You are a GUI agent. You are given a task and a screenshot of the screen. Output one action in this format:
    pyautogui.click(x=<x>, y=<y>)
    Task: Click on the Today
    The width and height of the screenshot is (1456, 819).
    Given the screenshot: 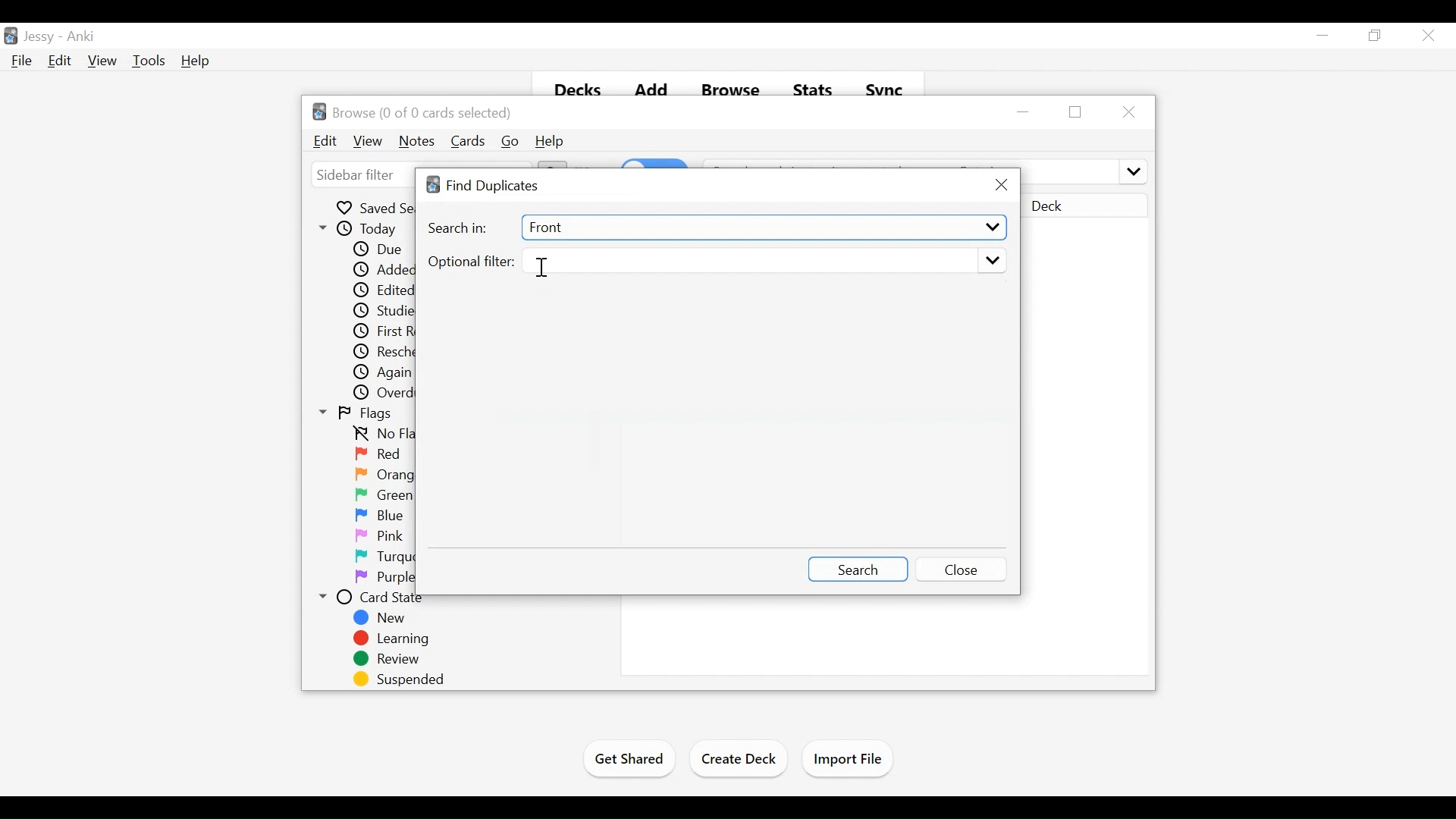 What is the action you would take?
    pyautogui.click(x=360, y=229)
    